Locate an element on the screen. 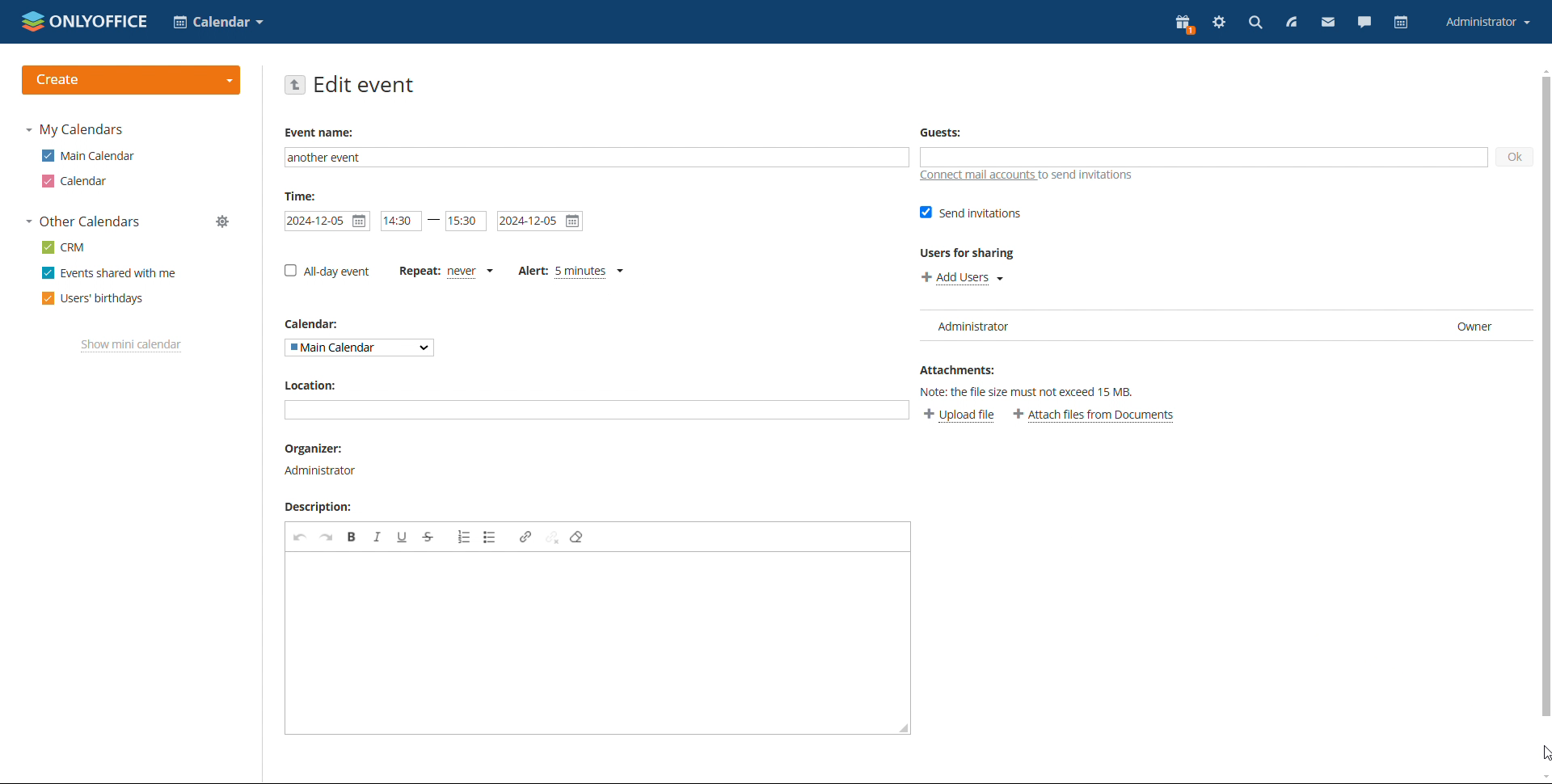 The image size is (1552, 784). link is located at coordinates (525, 537).